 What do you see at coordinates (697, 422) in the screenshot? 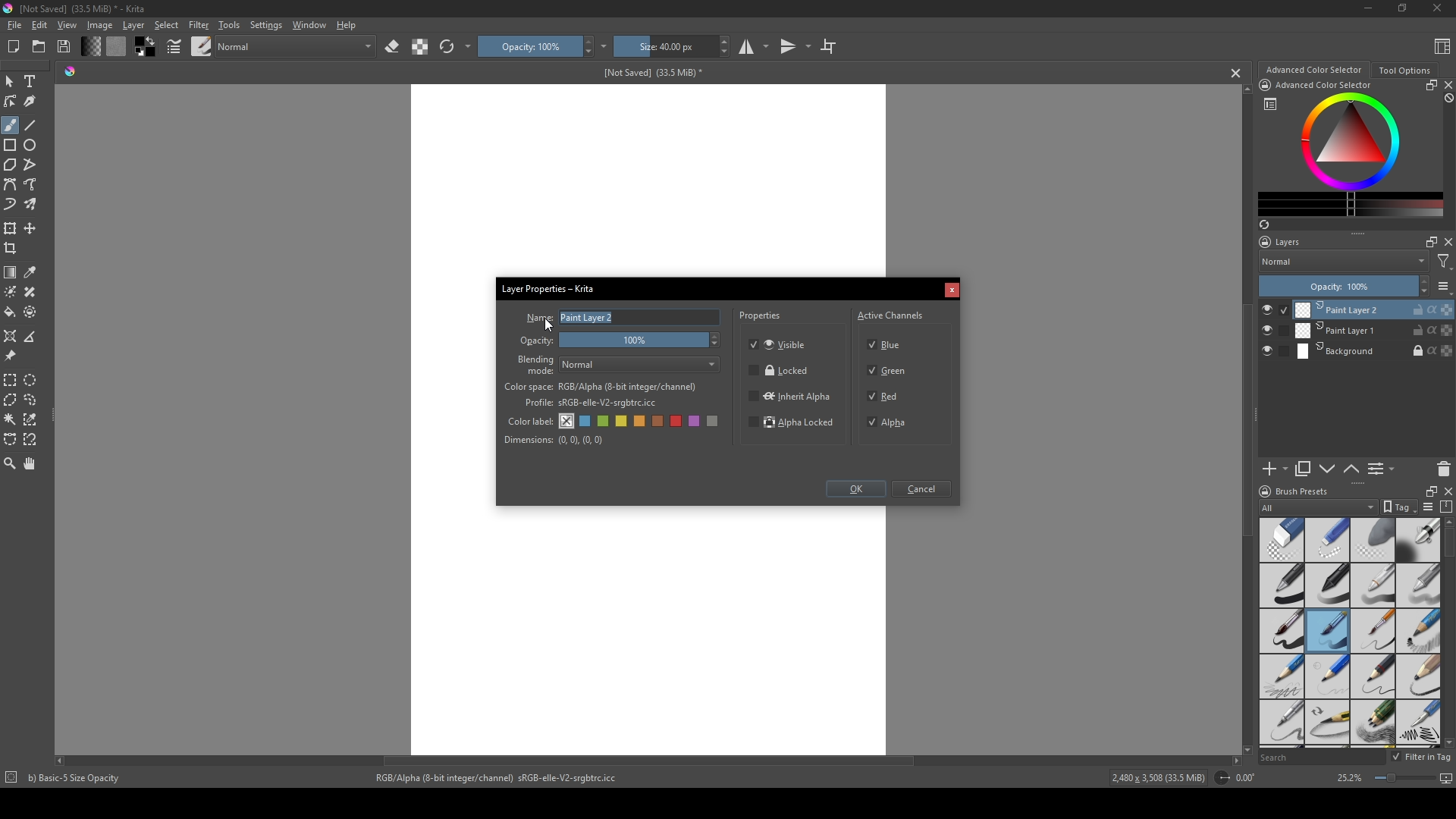
I see `purple` at bounding box center [697, 422].